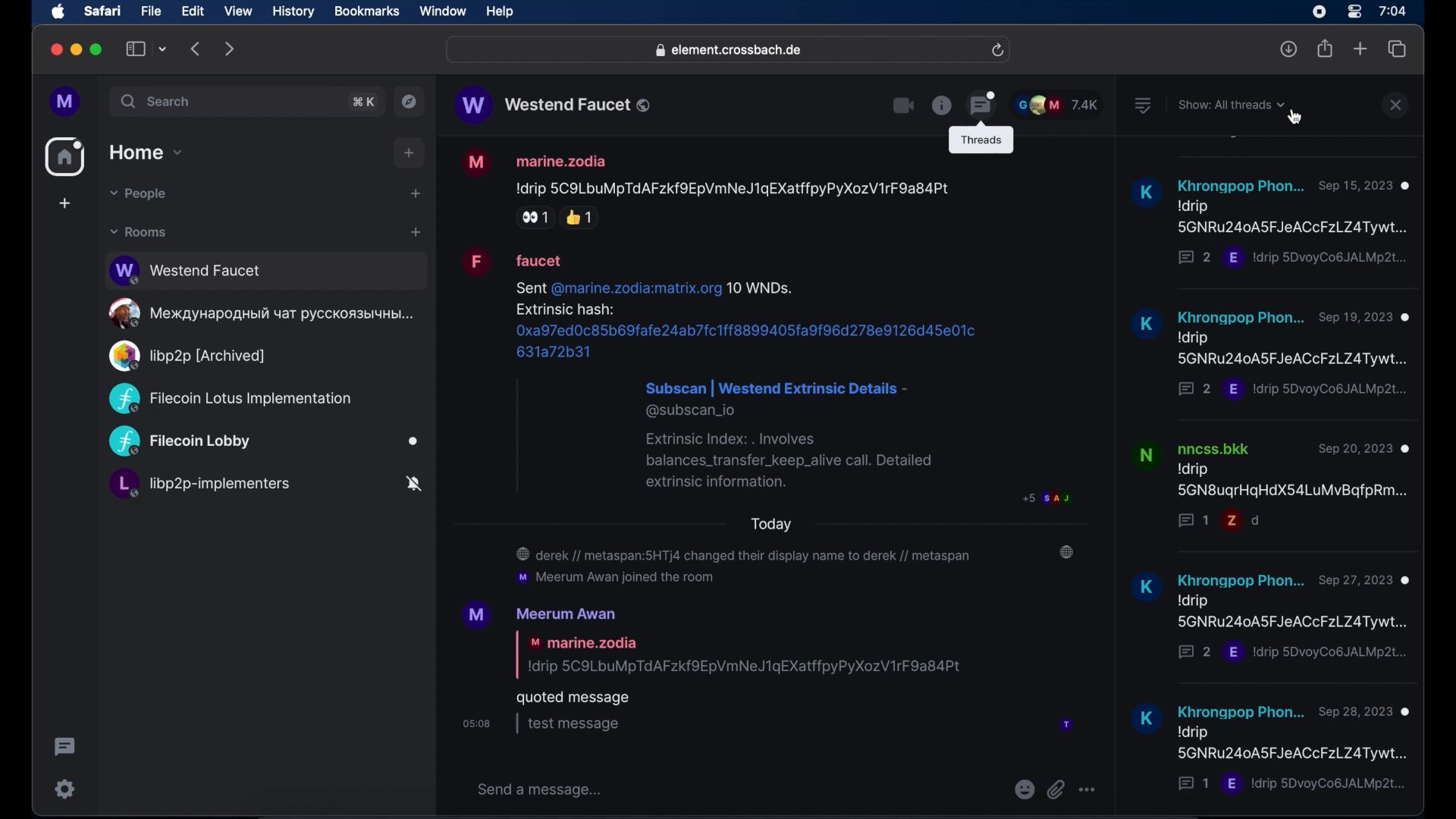 The width and height of the screenshot is (1456, 819). Describe the element at coordinates (1222, 449) in the screenshot. I see `nncss.bkk` at that location.